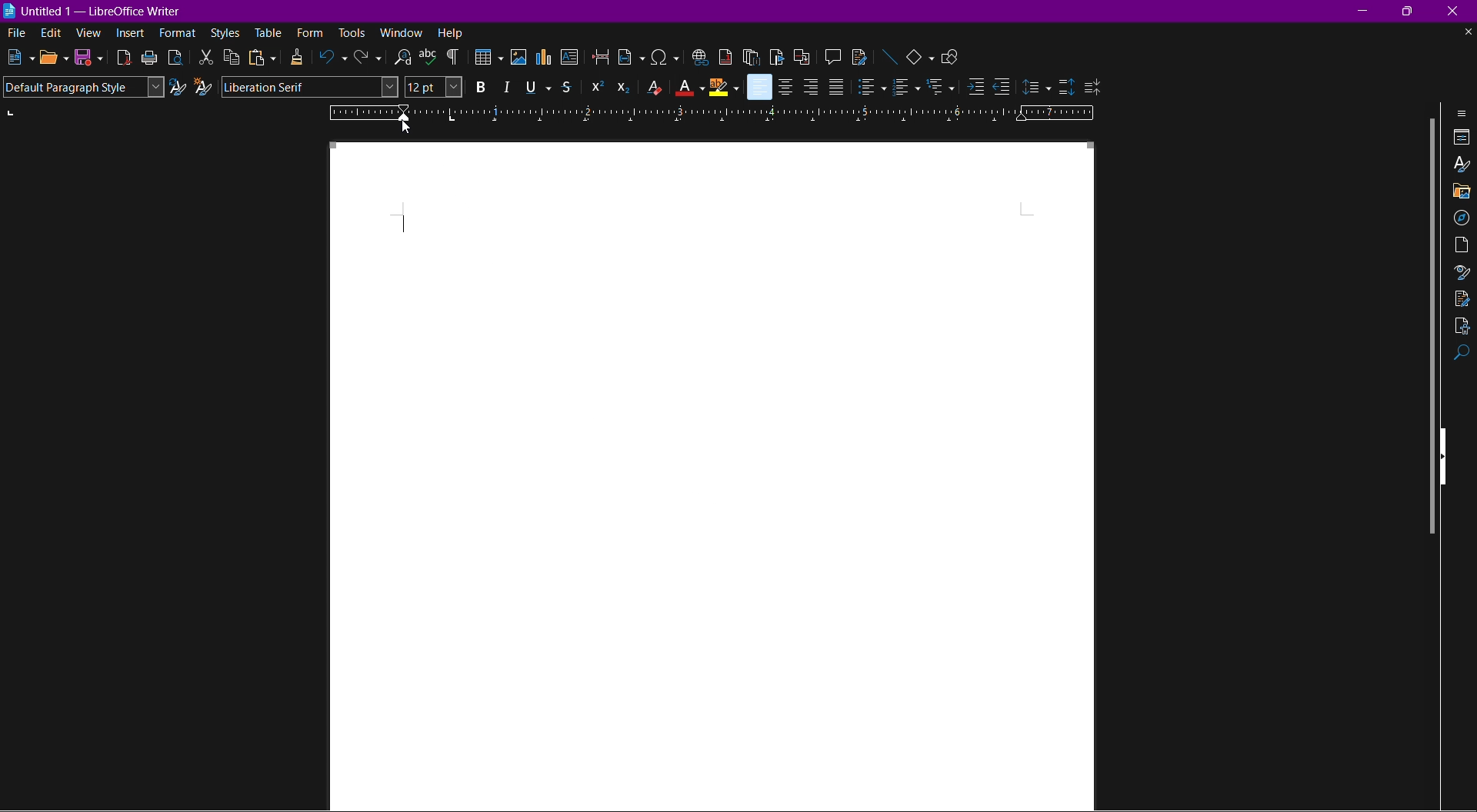 This screenshot has height=812, width=1477. What do you see at coordinates (90, 35) in the screenshot?
I see `view` at bounding box center [90, 35].